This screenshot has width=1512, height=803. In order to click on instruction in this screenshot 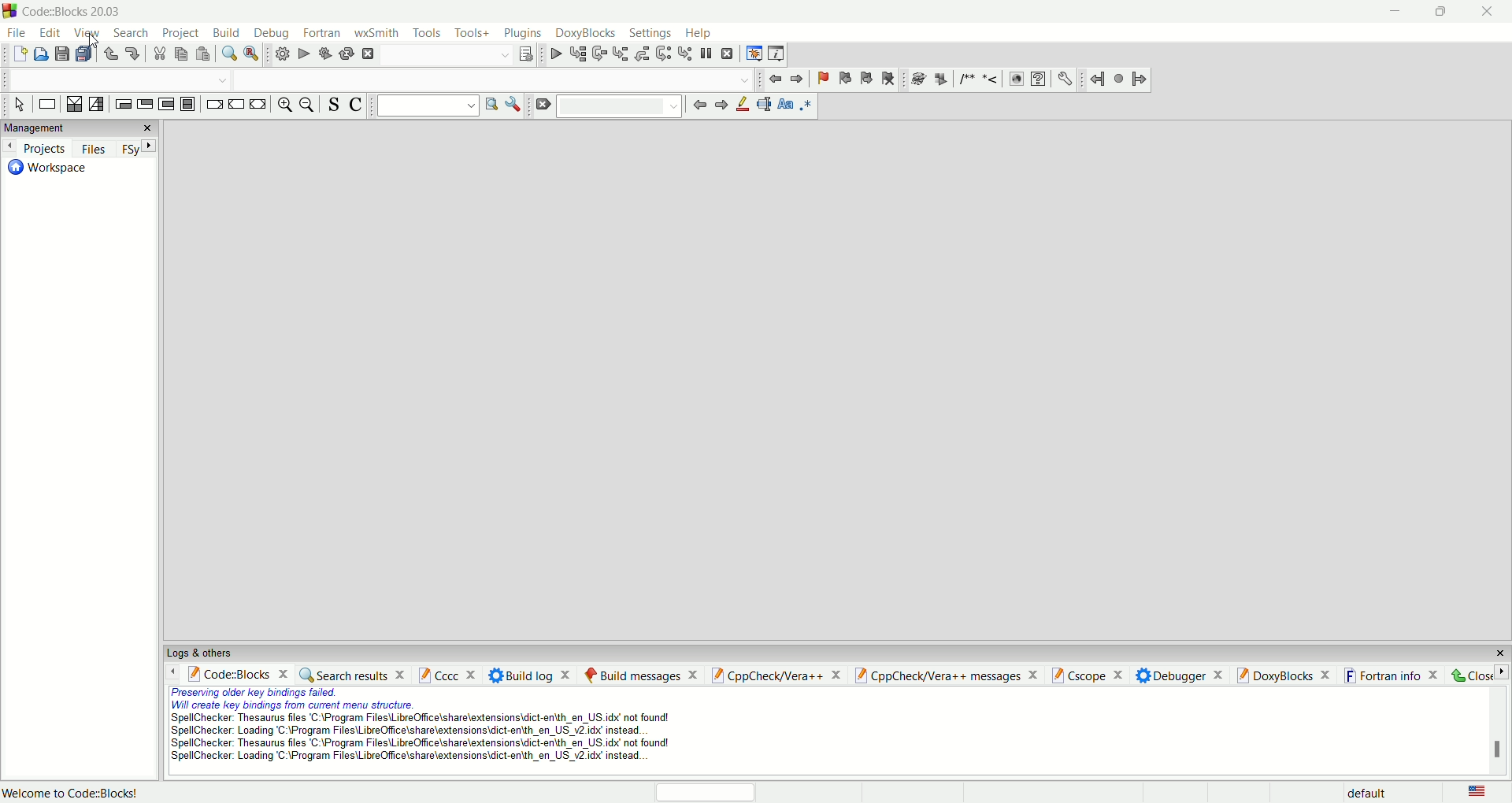, I will do `click(46, 106)`.